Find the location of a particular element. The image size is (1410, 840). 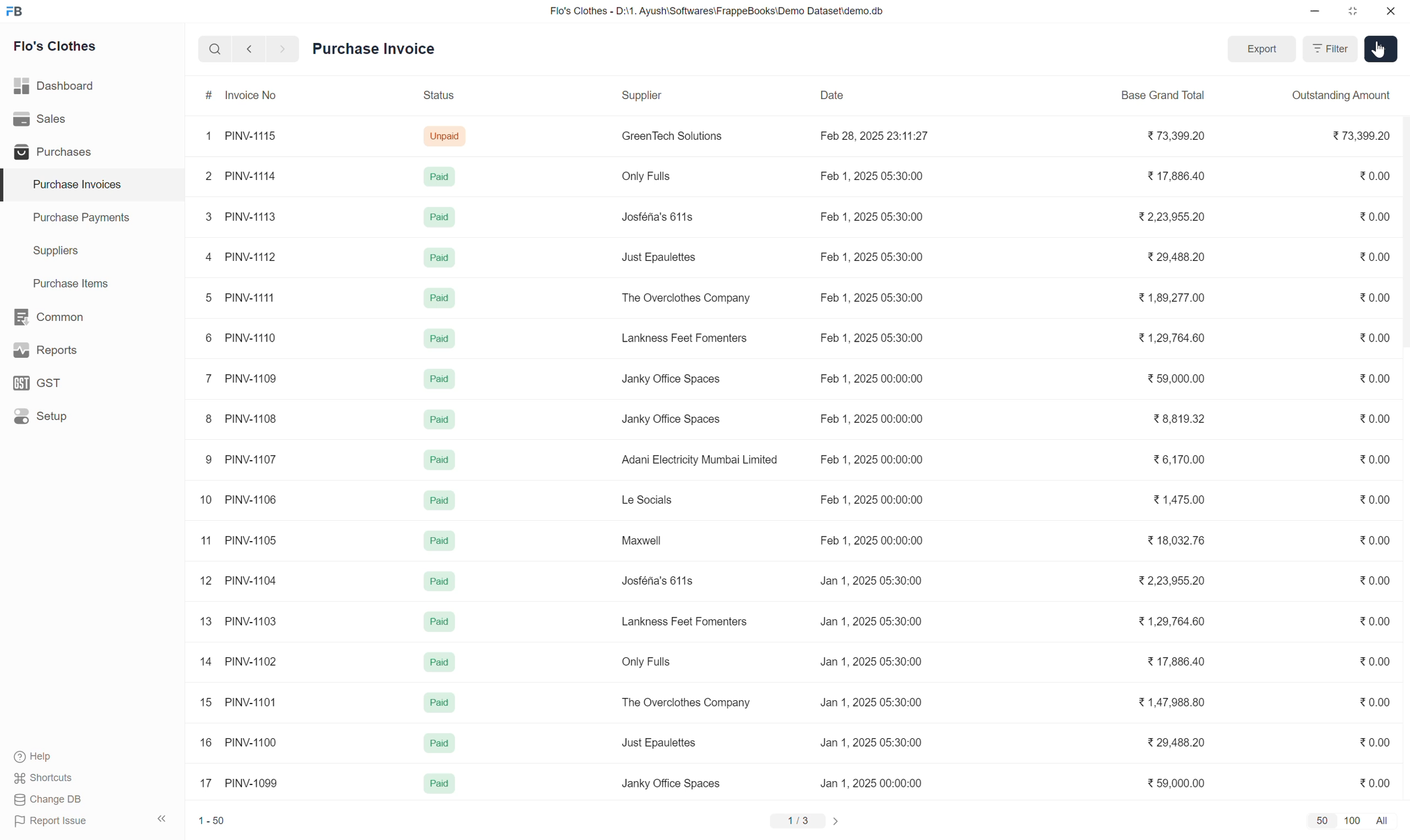

minimize is located at coordinates (1315, 14).